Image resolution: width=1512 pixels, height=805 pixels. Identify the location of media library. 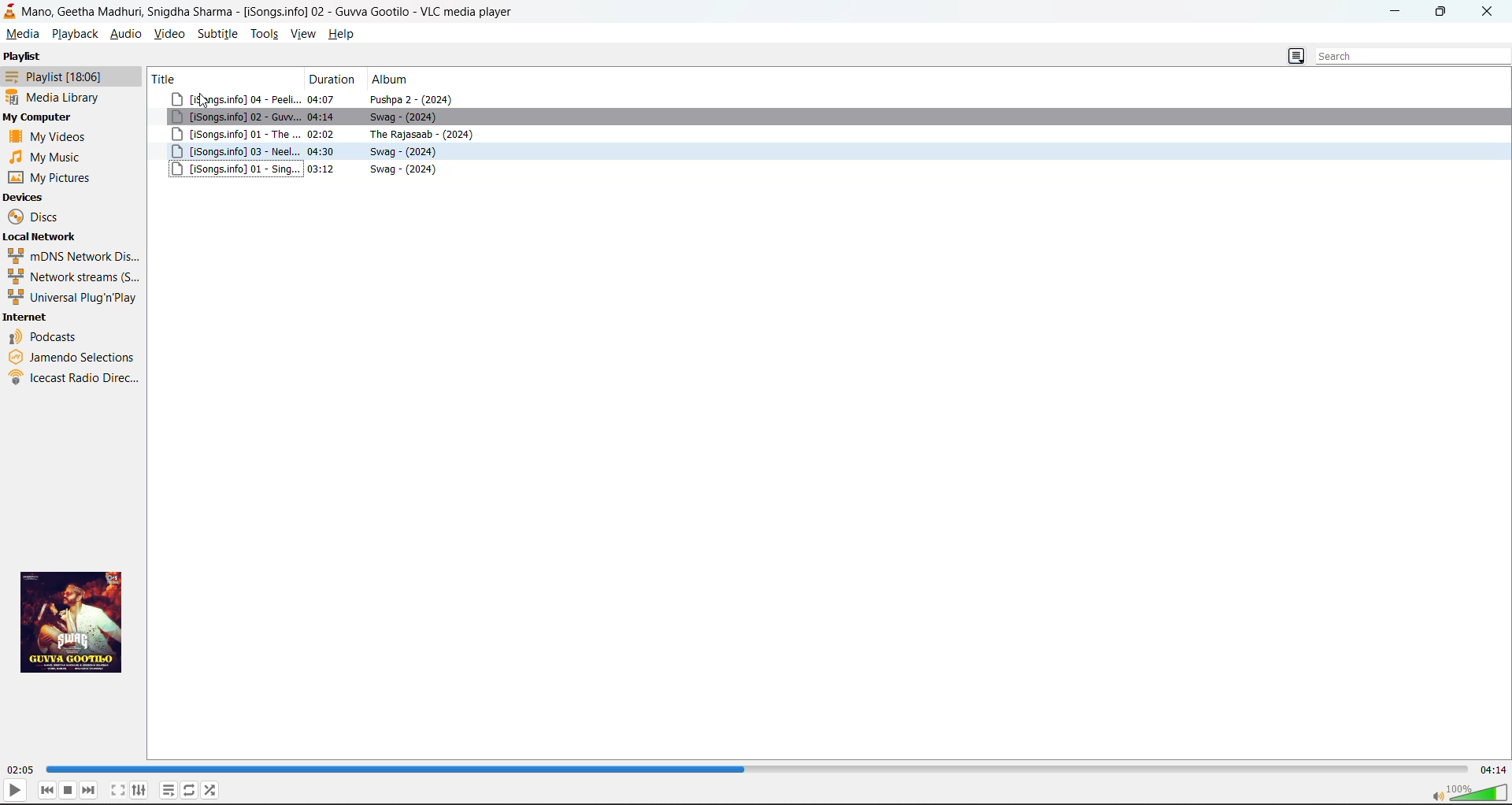
(57, 97).